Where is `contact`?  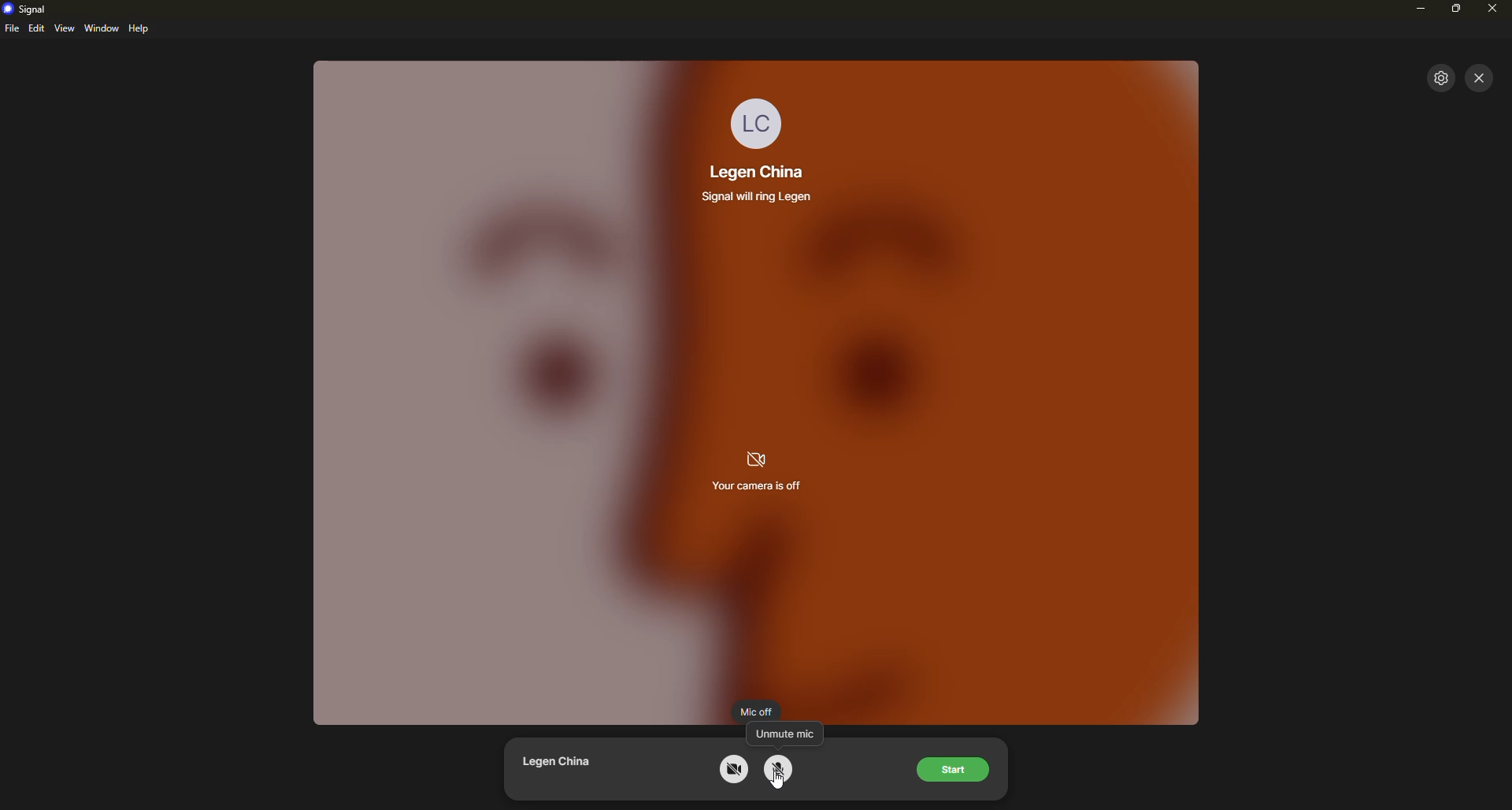 contact is located at coordinates (754, 172).